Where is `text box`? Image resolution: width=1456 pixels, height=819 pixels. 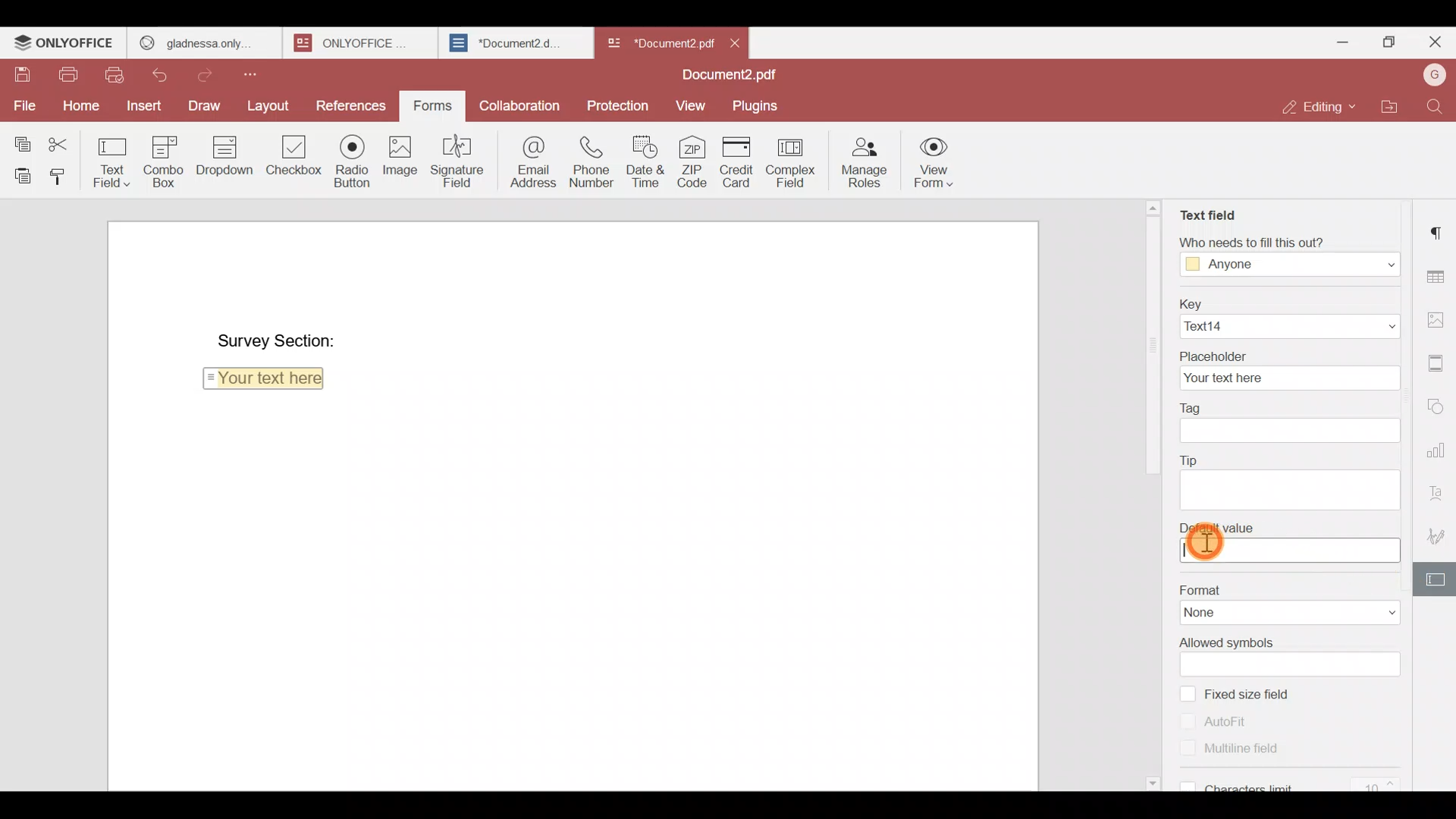 text box is located at coordinates (1288, 664).